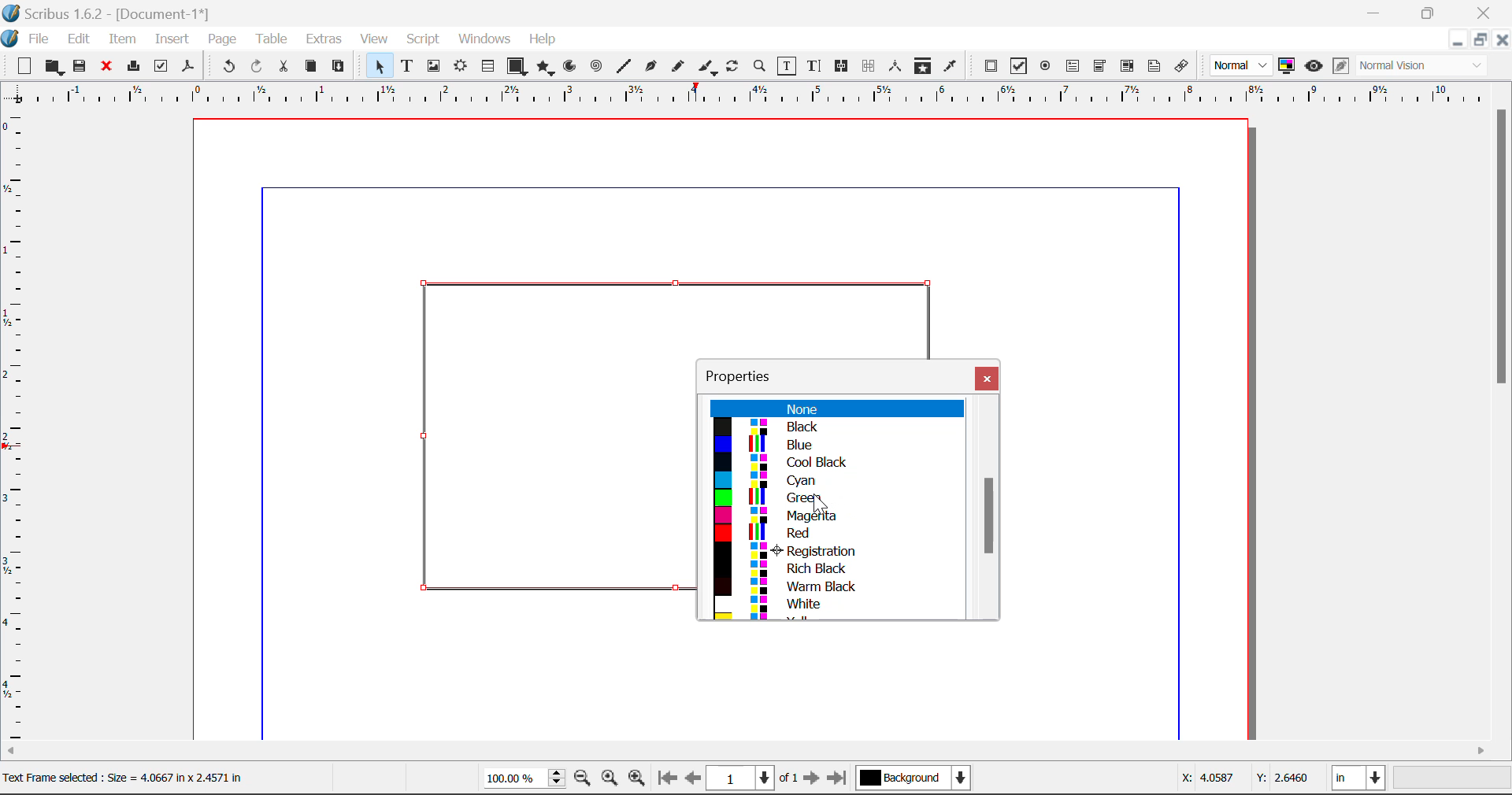 This screenshot has height=795, width=1512. Describe the element at coordinates (667, 780) in the screenshot. I see `First Page` at that location.